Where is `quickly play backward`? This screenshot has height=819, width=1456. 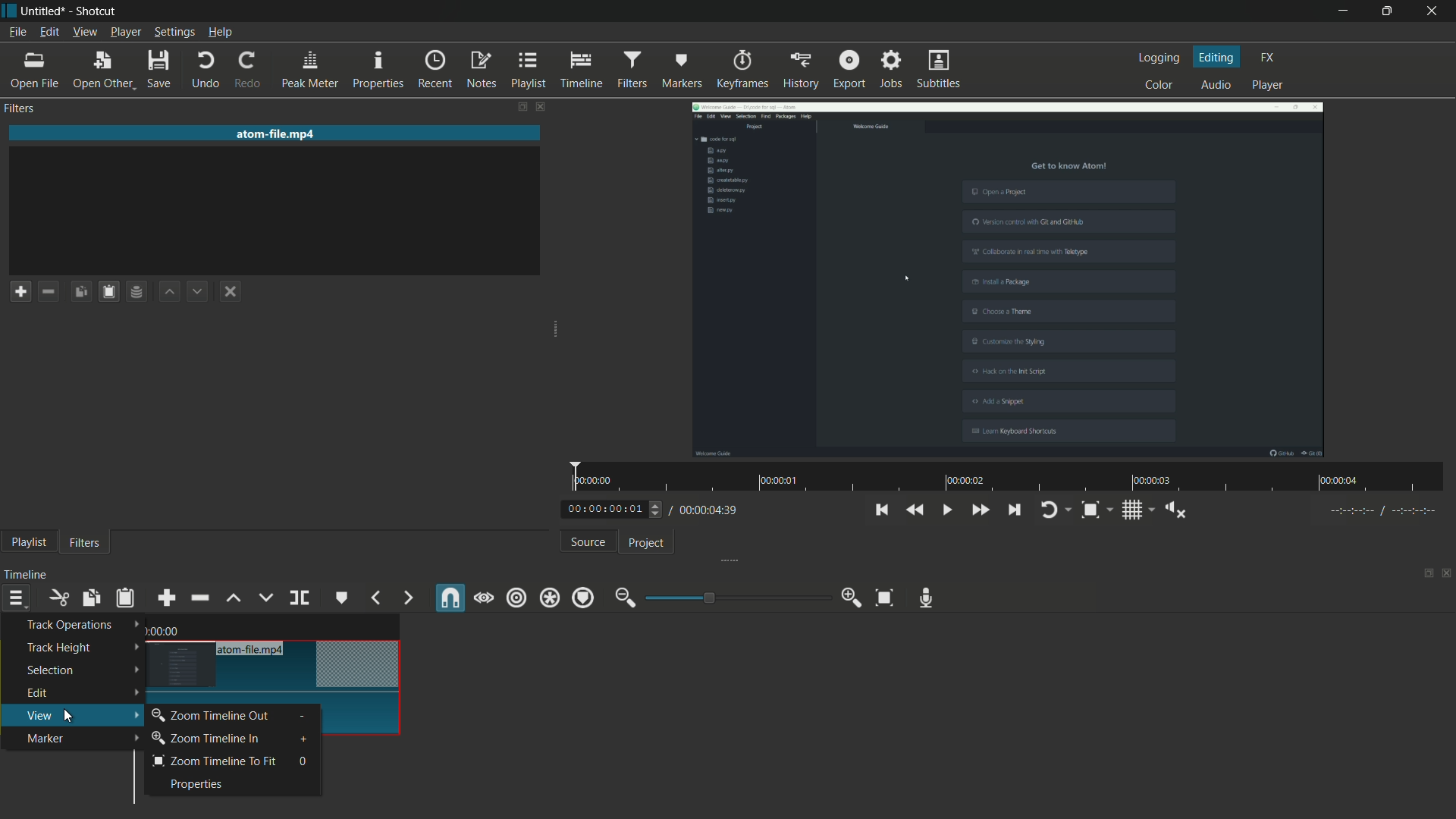 quickly play backward is located at coordinates (916, 510).